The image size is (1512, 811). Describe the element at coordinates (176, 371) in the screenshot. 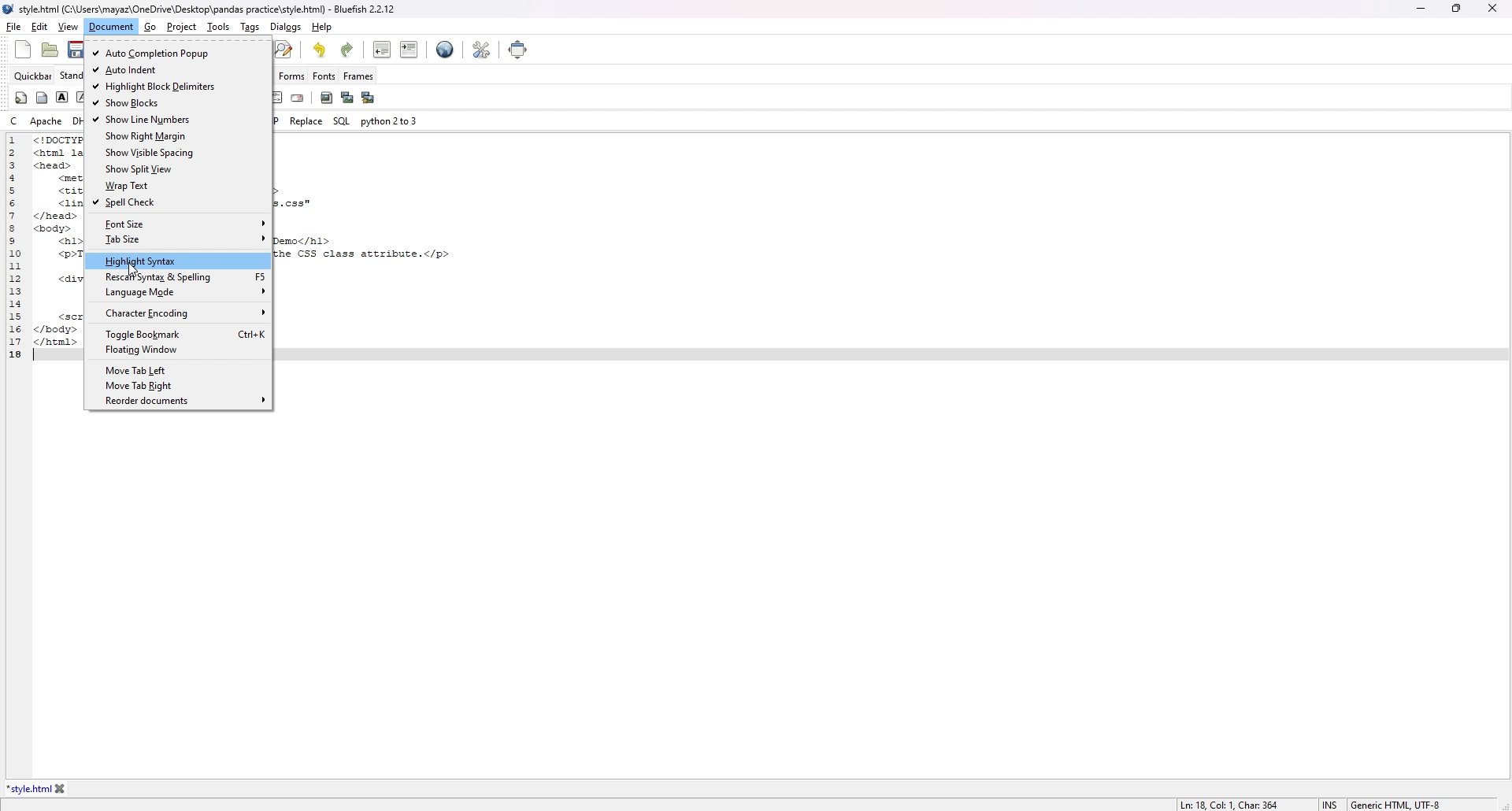

I see `move tab left` at that location.